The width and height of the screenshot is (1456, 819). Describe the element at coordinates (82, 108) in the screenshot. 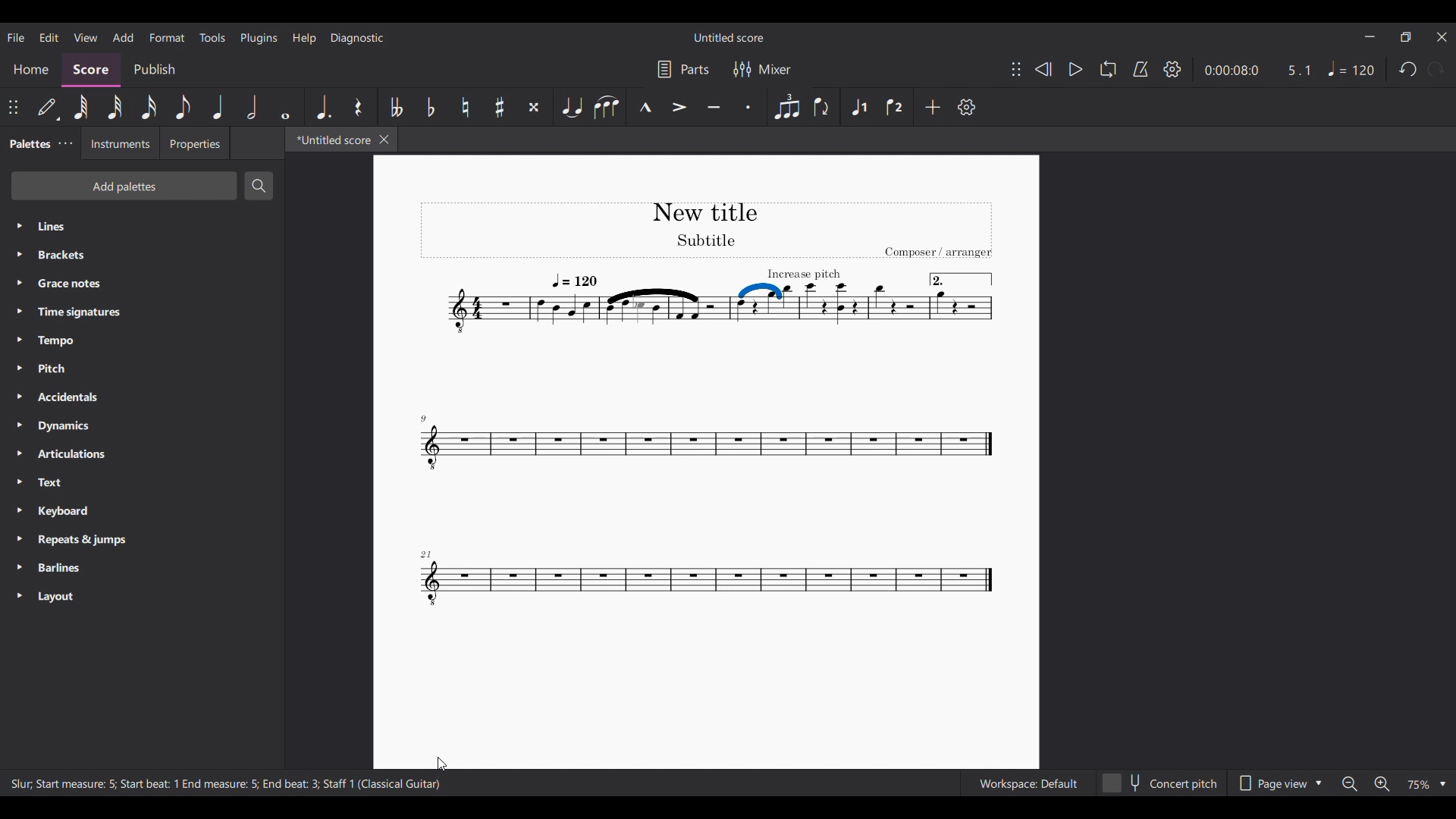

I see `64th note` at that location.